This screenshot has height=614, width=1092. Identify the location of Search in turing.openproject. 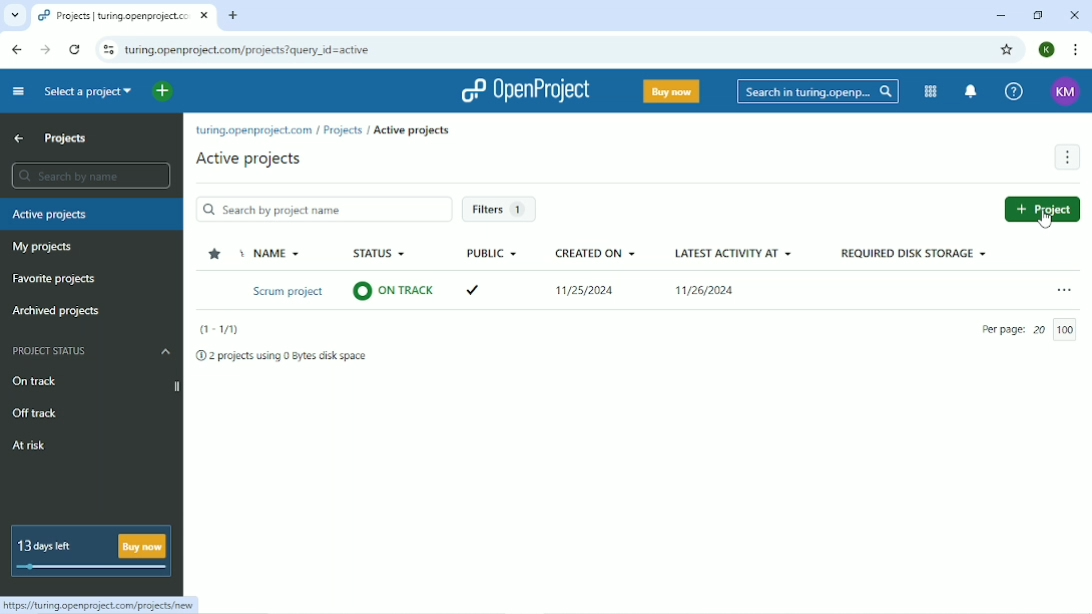
(816, 91).